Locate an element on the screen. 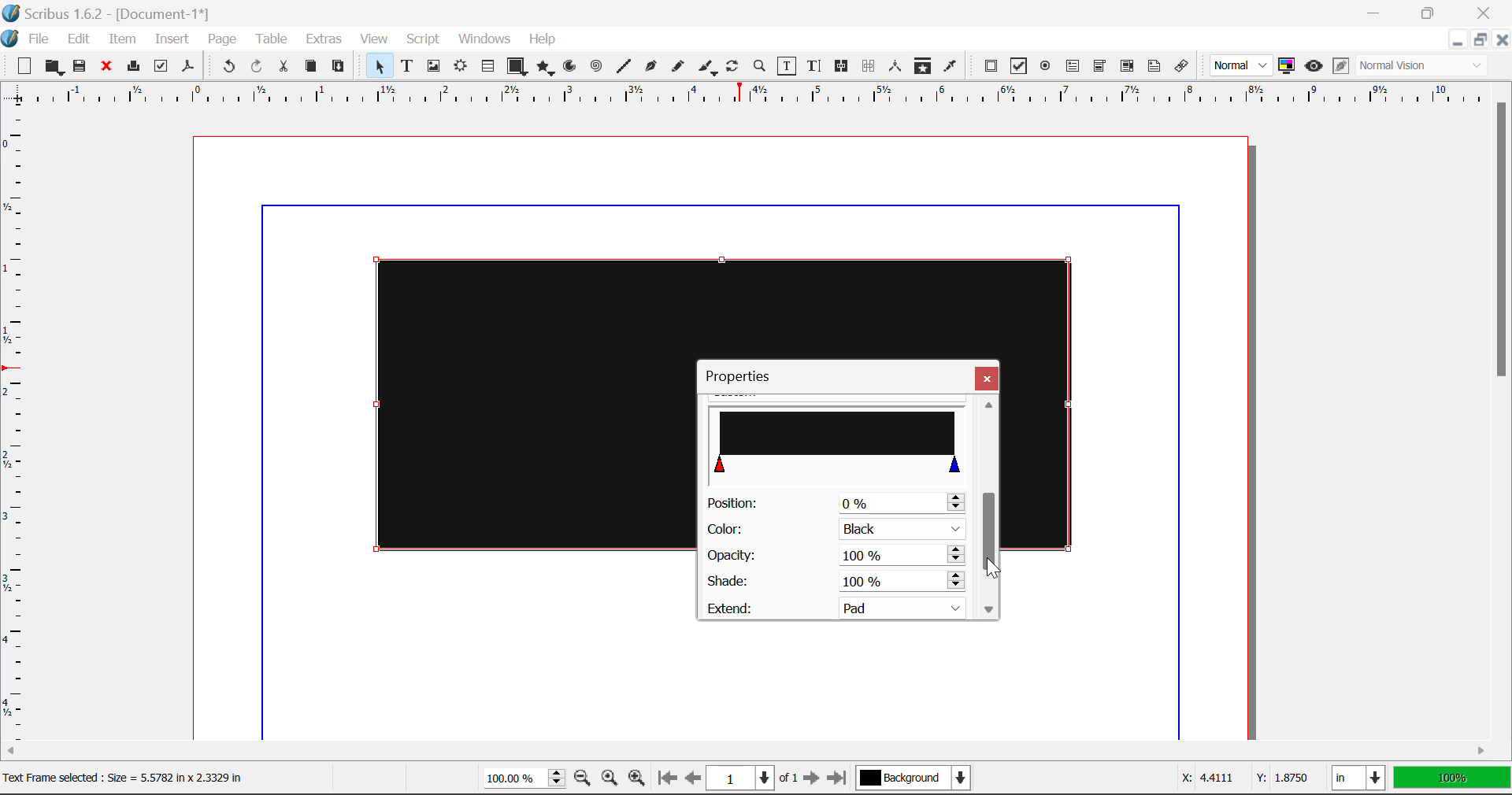 The width and height of the screenshot is (1512, 795). Tables is located at coordinates (487, 68).